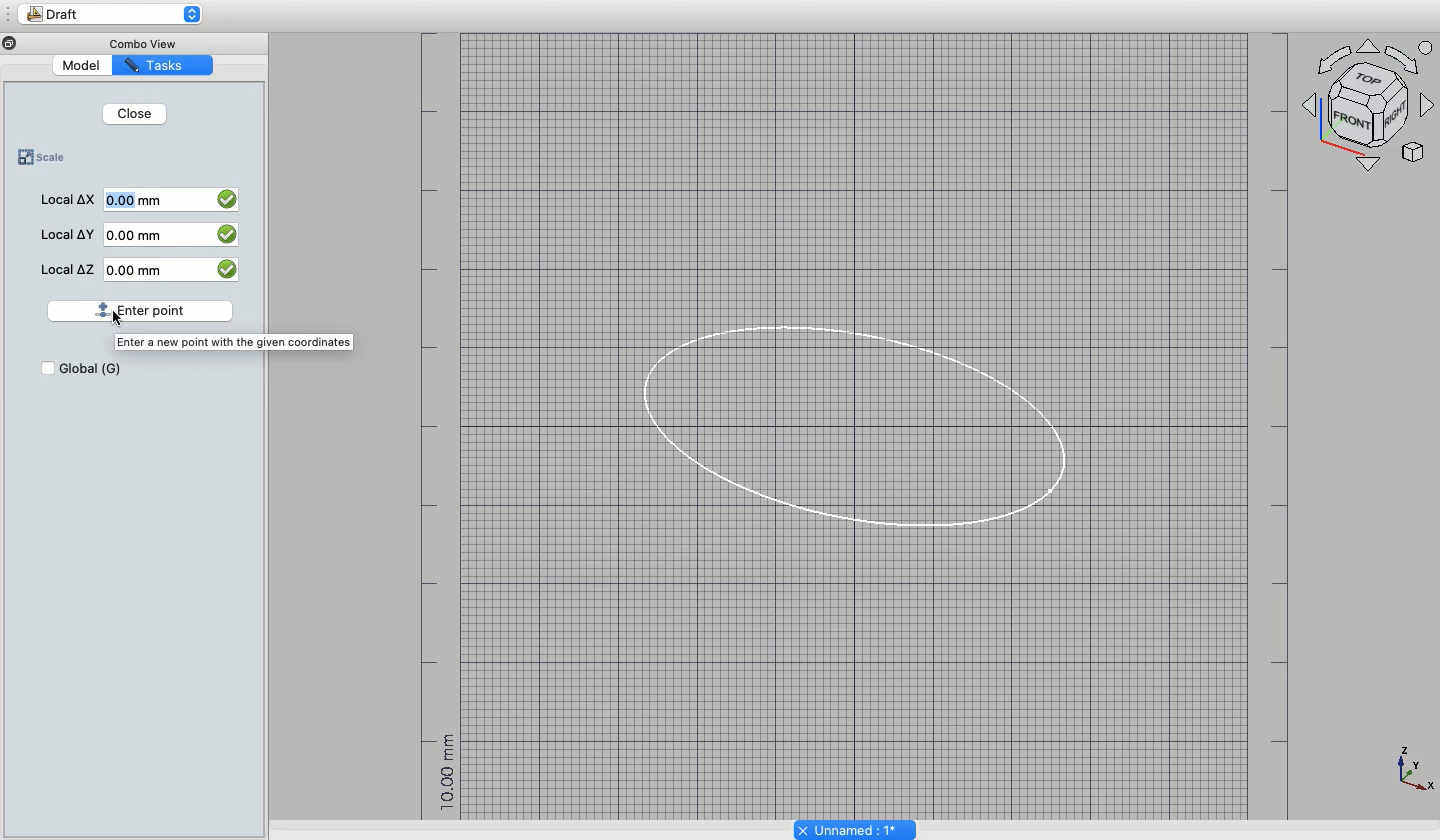 This screenshot has width=1440, height=840. What do you see at coordinates (172, 270) in the screenshot?
I see `0.00 mm` at bounding box center [172, 270].